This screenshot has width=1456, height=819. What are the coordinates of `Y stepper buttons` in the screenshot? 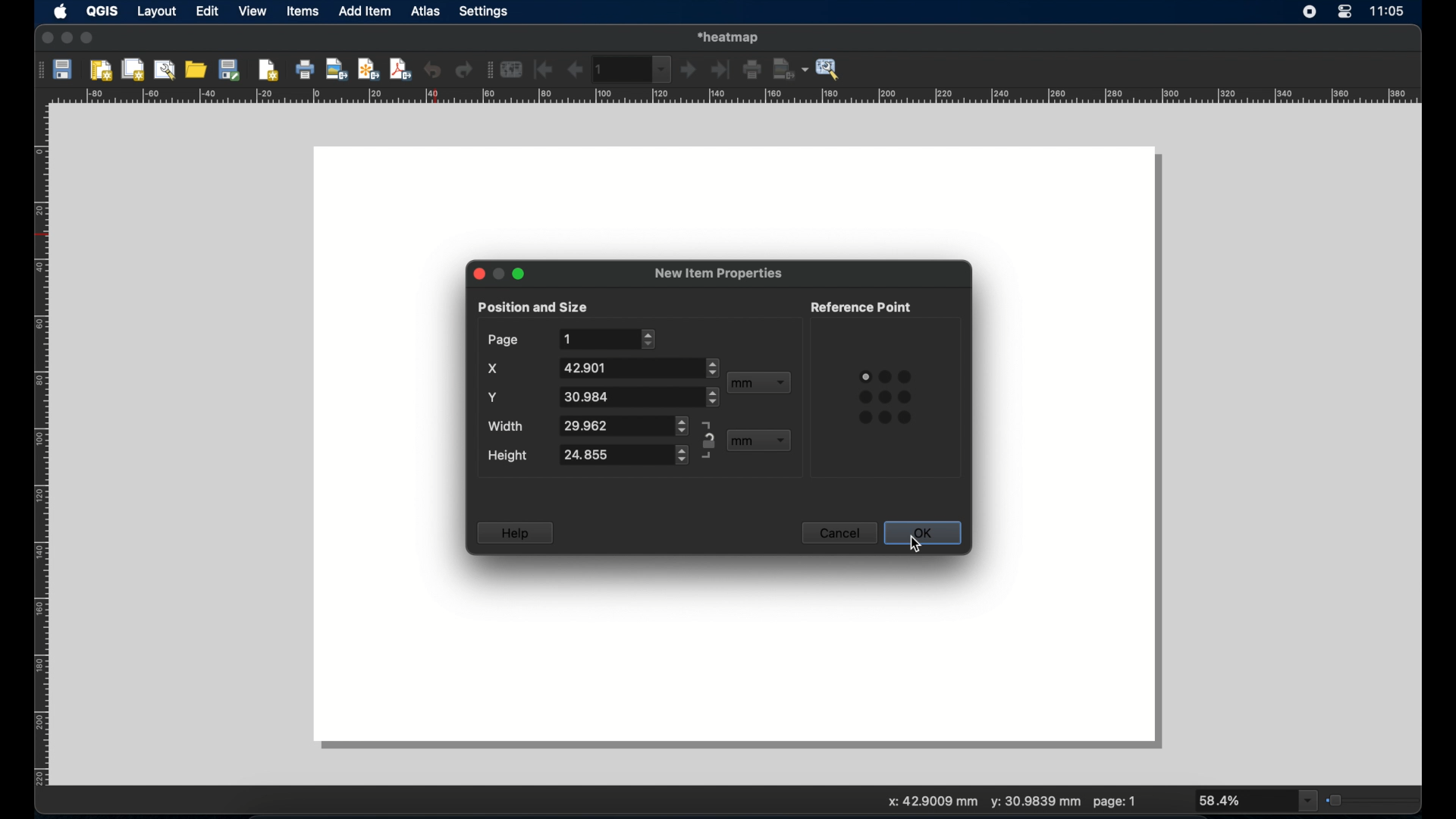 It's located at (639, 397).